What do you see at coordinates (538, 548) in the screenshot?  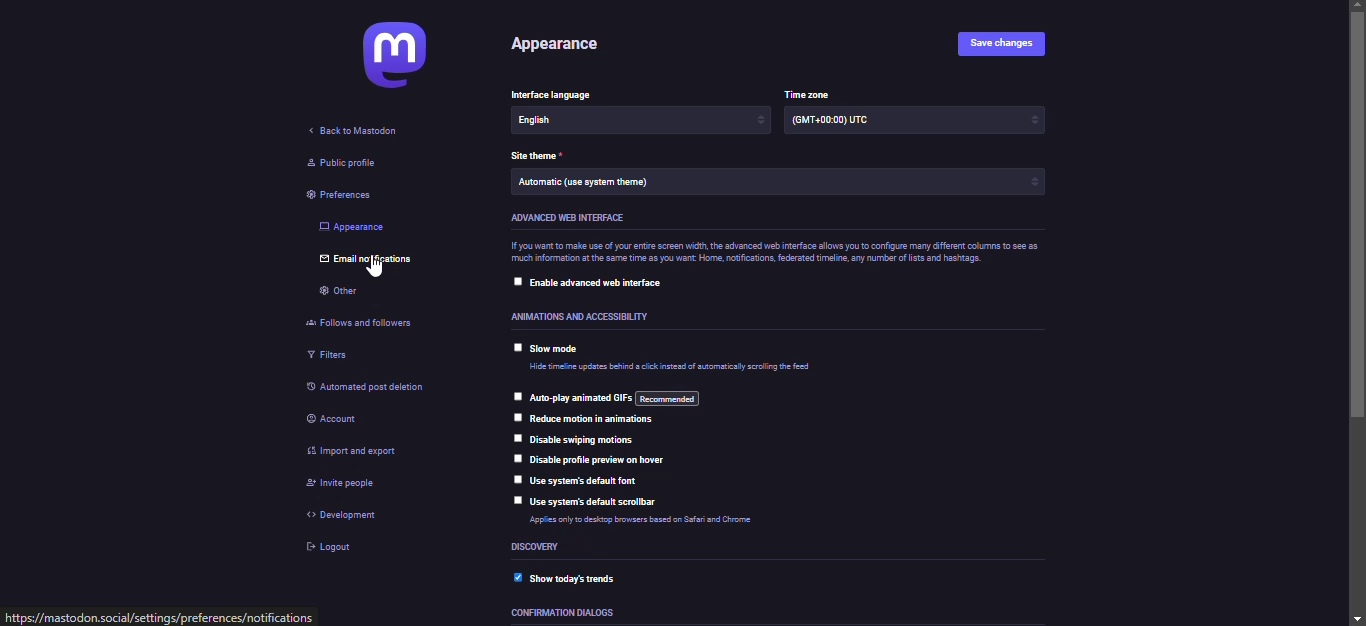 I see `discovery` at bounding box center [538, 548].